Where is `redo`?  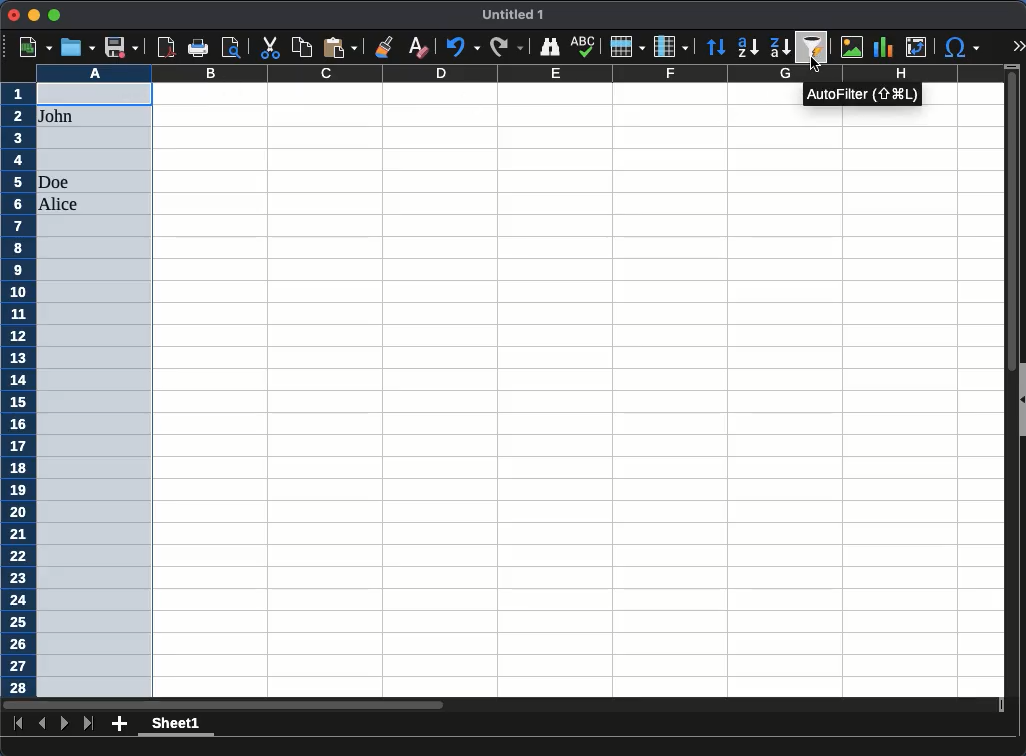
redo is located at coordinates (505, 48).